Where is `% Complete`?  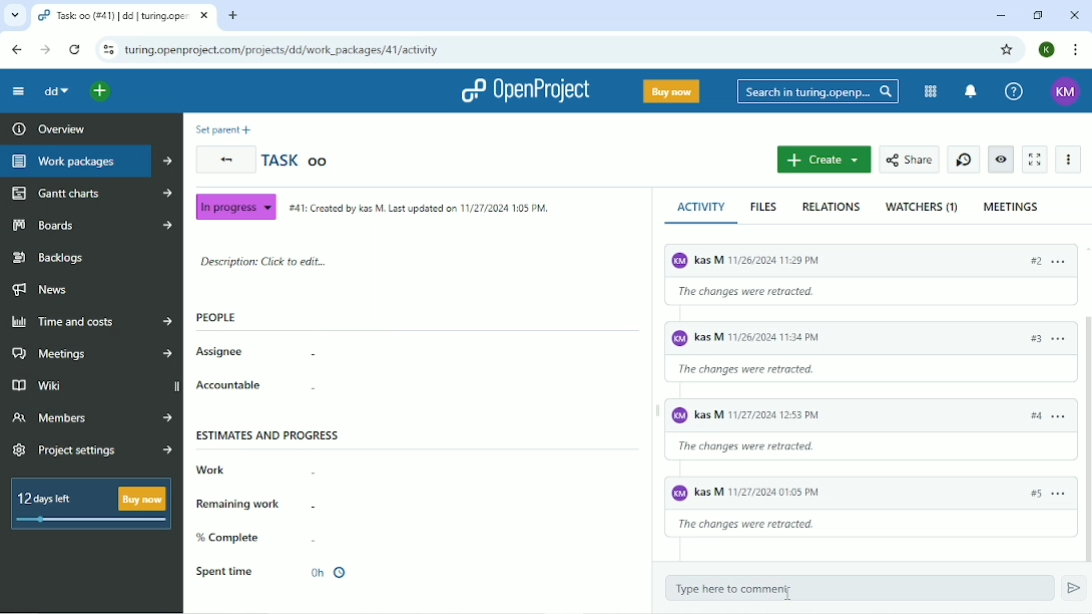
% Complete is located at coordinates (257, 537).